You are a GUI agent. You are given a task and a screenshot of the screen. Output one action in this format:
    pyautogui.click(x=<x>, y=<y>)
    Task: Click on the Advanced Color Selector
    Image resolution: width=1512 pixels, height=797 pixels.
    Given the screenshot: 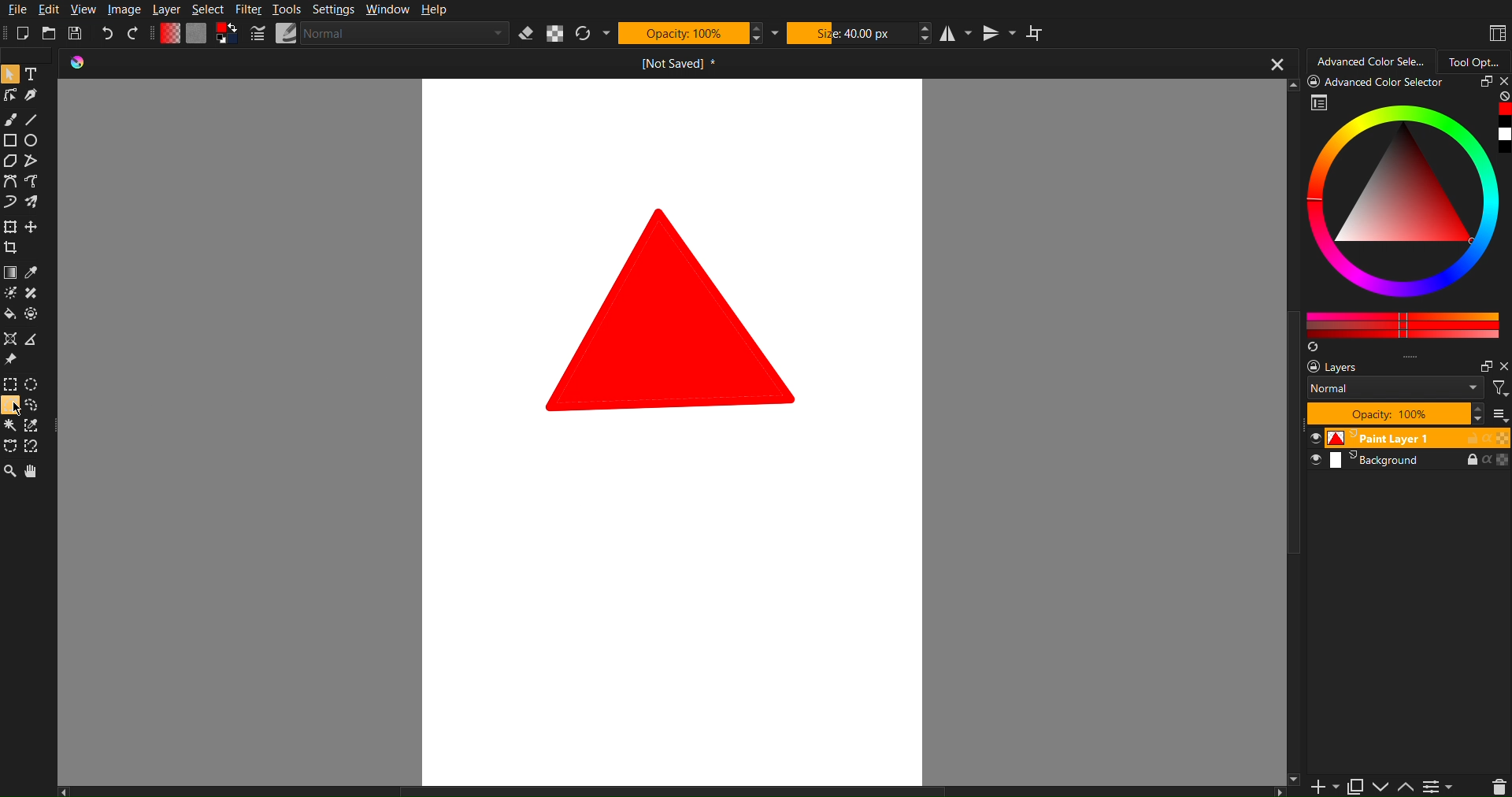 What is the action you would take?
    pyautogui.click(x=1406, y=213)
    